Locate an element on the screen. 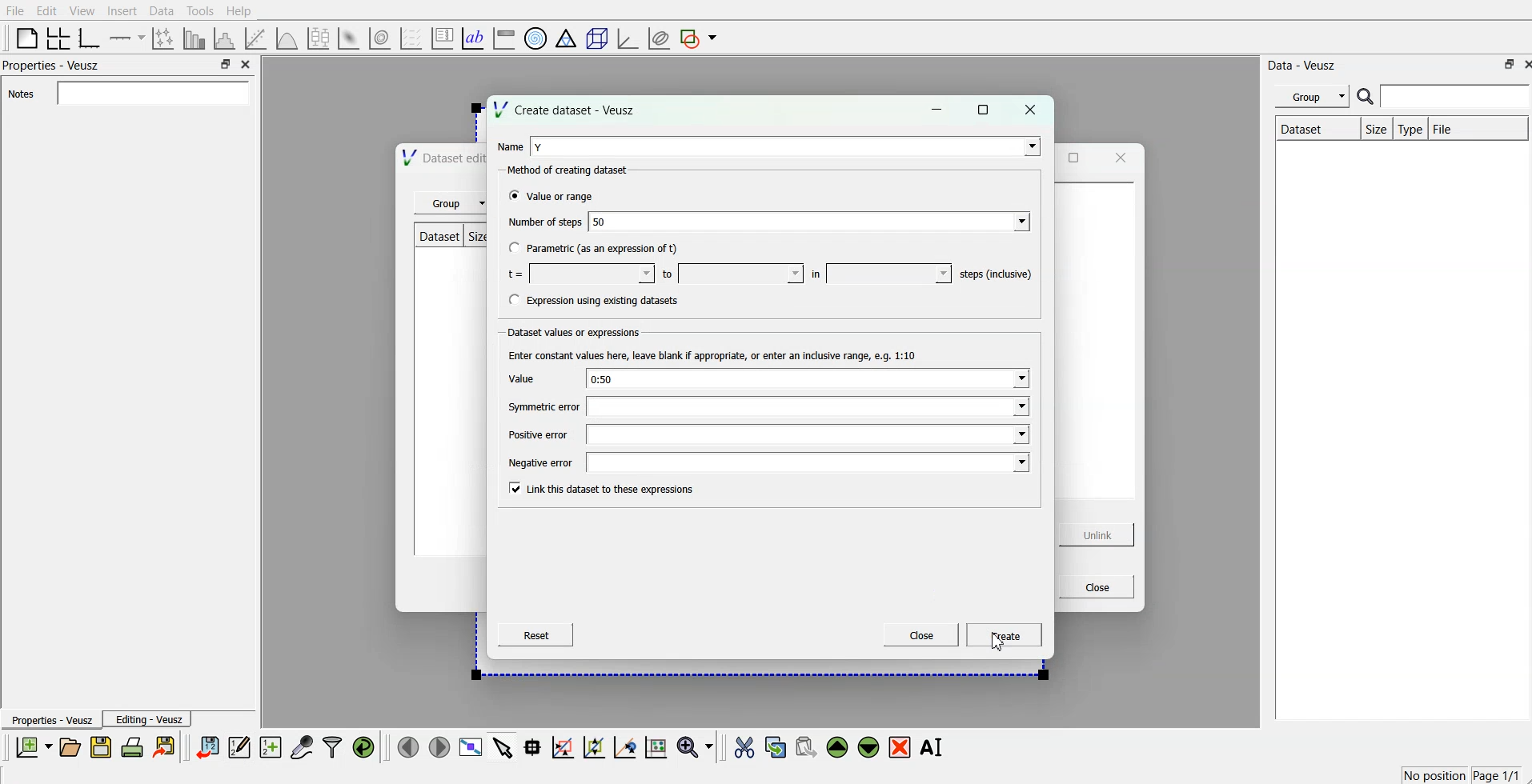 This screenshot has width=1532, height=784. view data points full screen is located at coordinates (468, 748).